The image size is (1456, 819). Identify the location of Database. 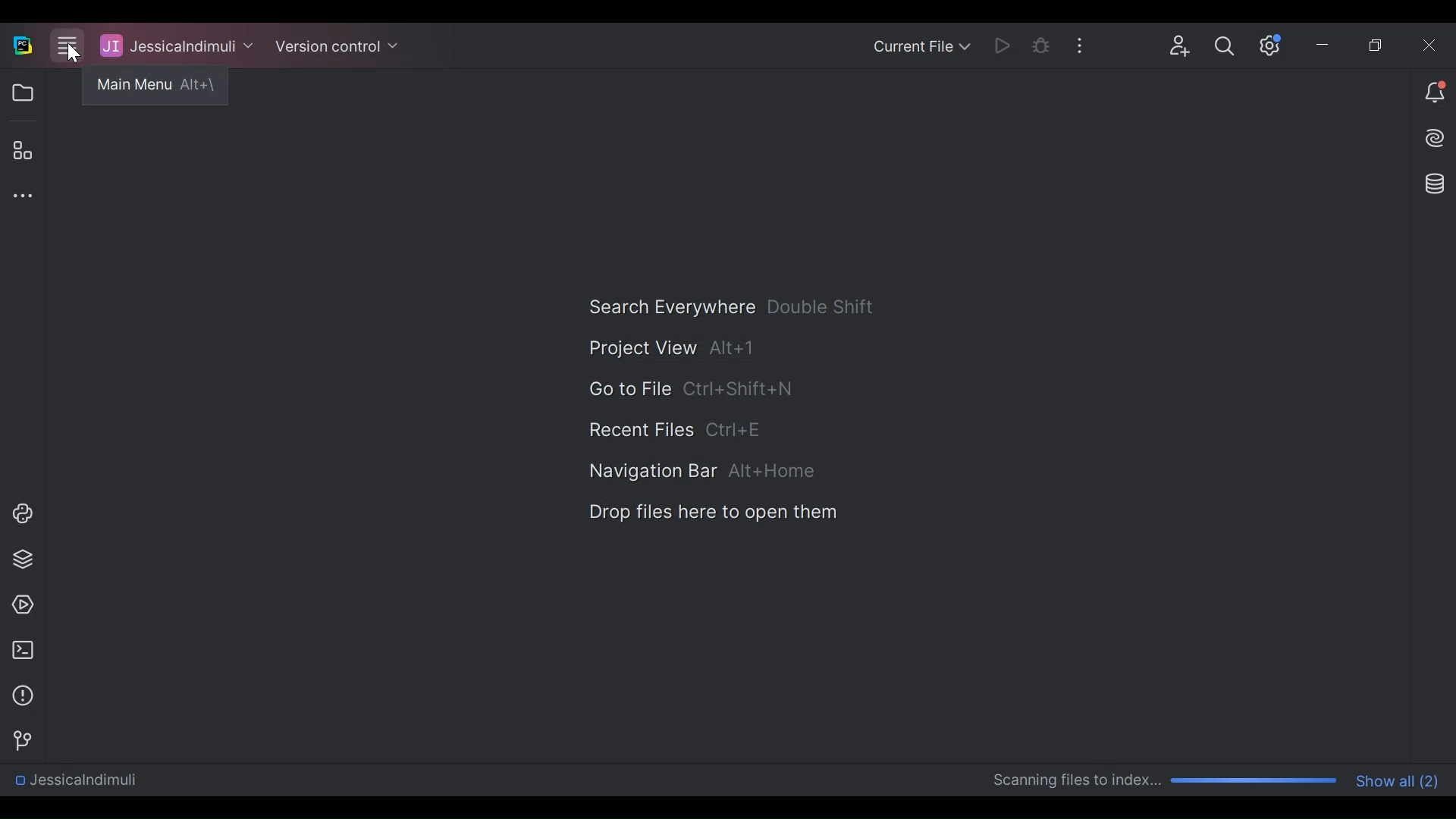
(1437, 184).